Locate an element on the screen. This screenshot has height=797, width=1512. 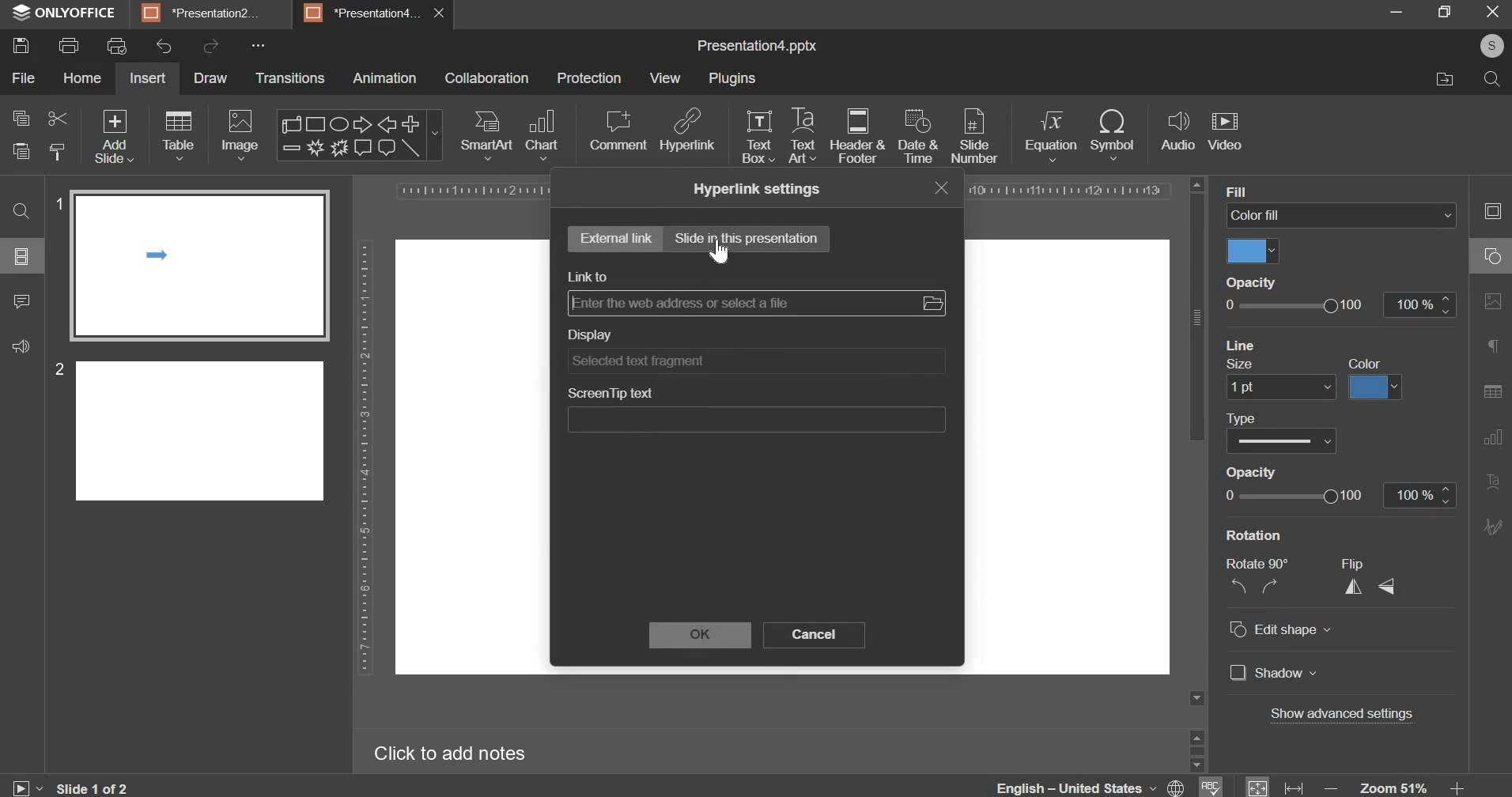
external link is located at coordinates (609, 238).